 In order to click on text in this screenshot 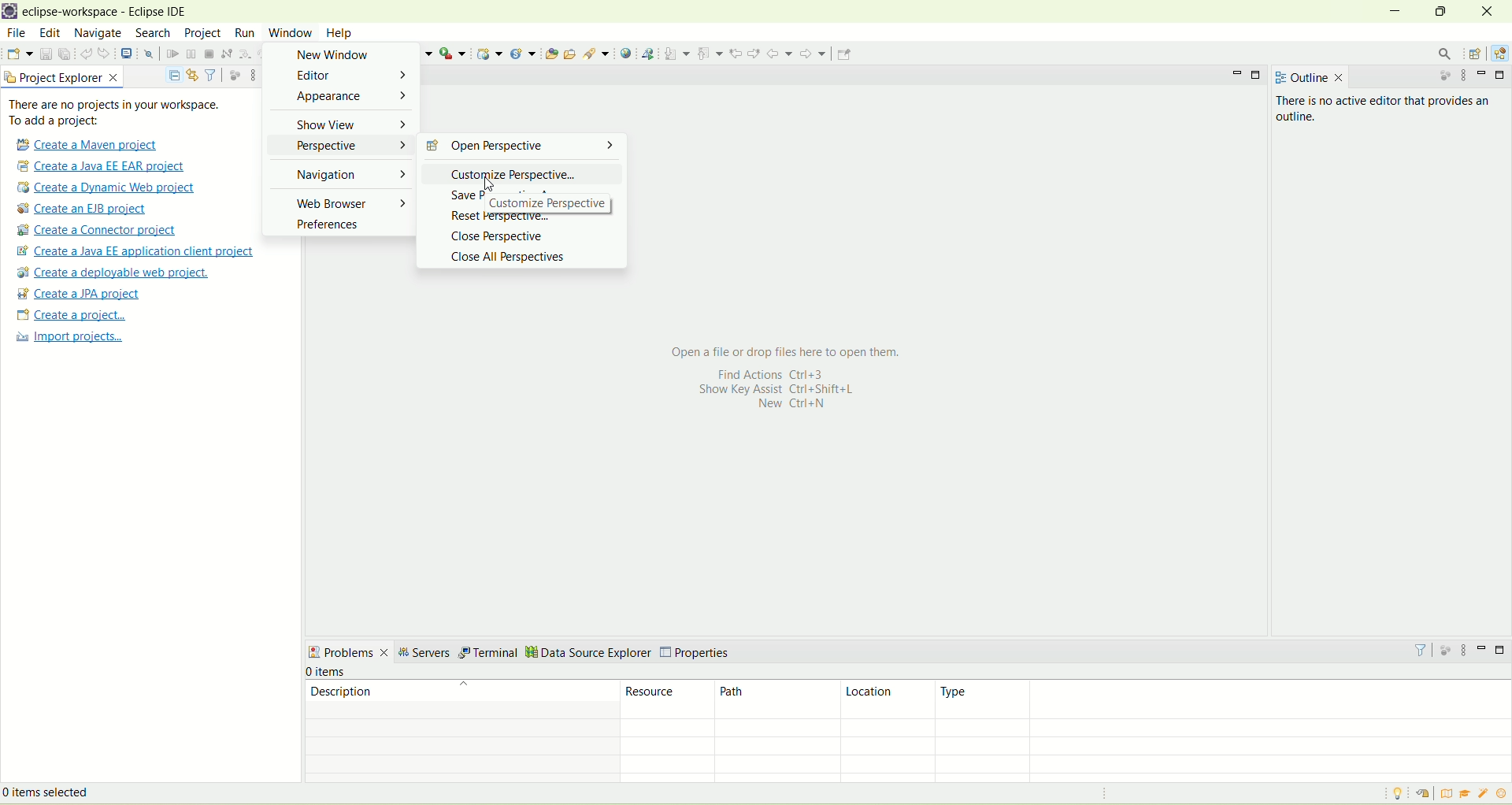, I will do `click(124, 113)`.